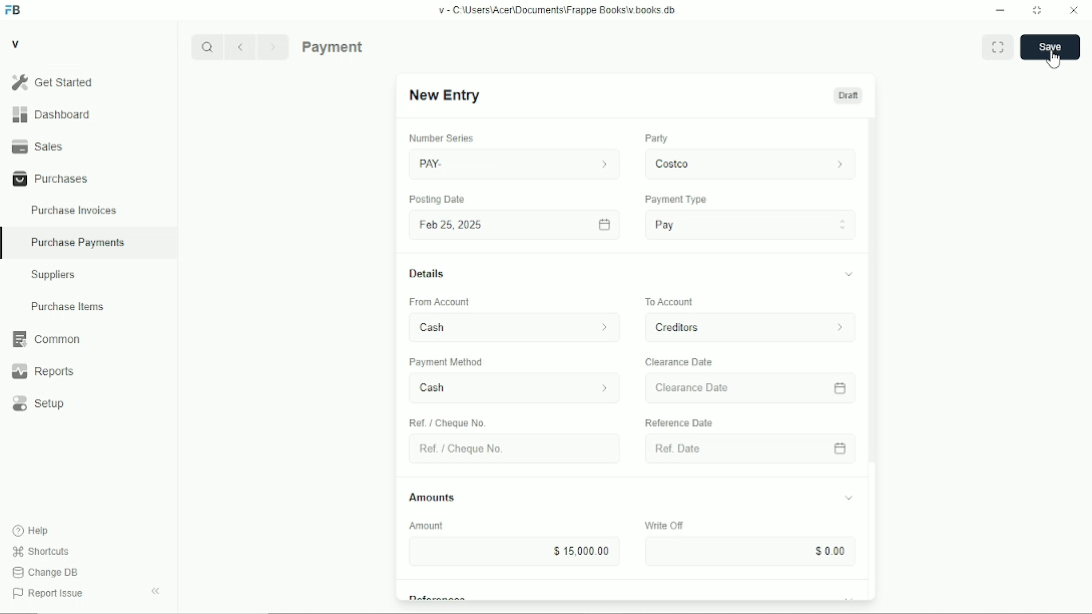  Describe the element at coordinates (438, 200) in the screenshot. I see `Posting Date` at that location.